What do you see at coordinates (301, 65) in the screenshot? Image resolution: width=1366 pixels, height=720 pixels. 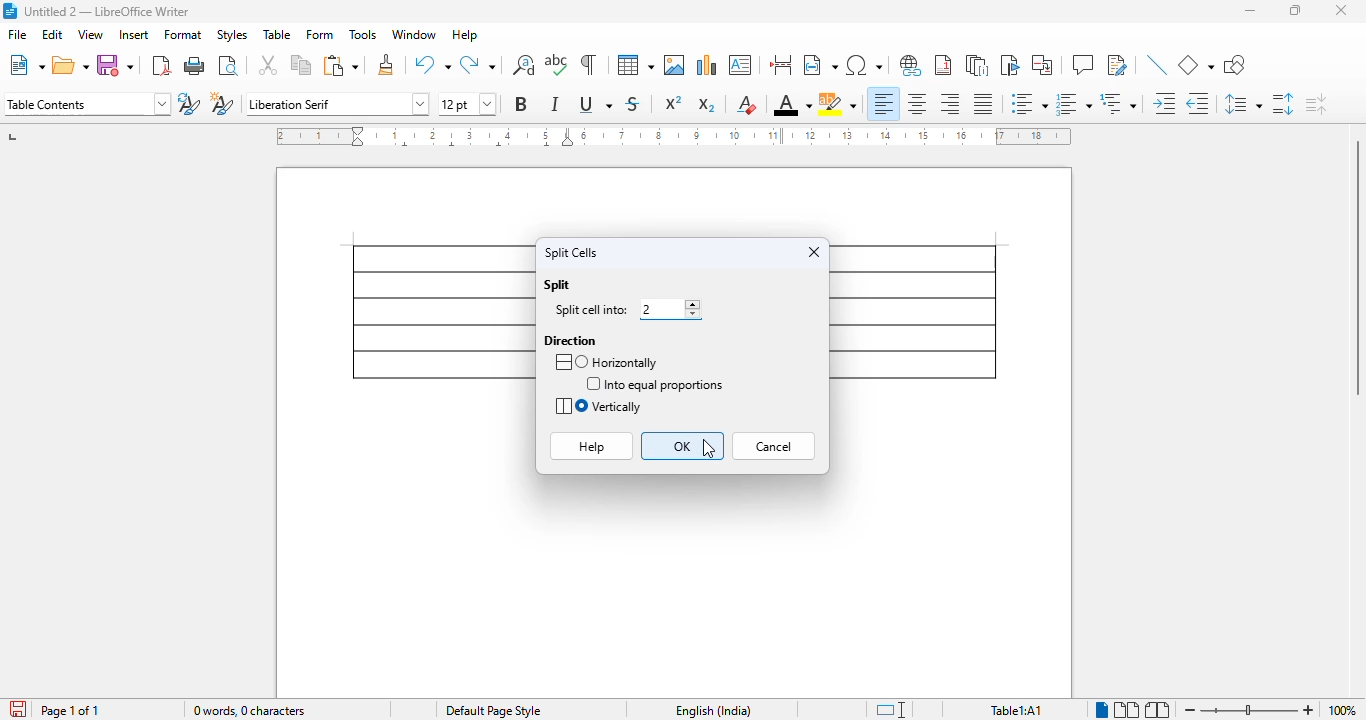 I see `copy` at bounding box center [301, 65].